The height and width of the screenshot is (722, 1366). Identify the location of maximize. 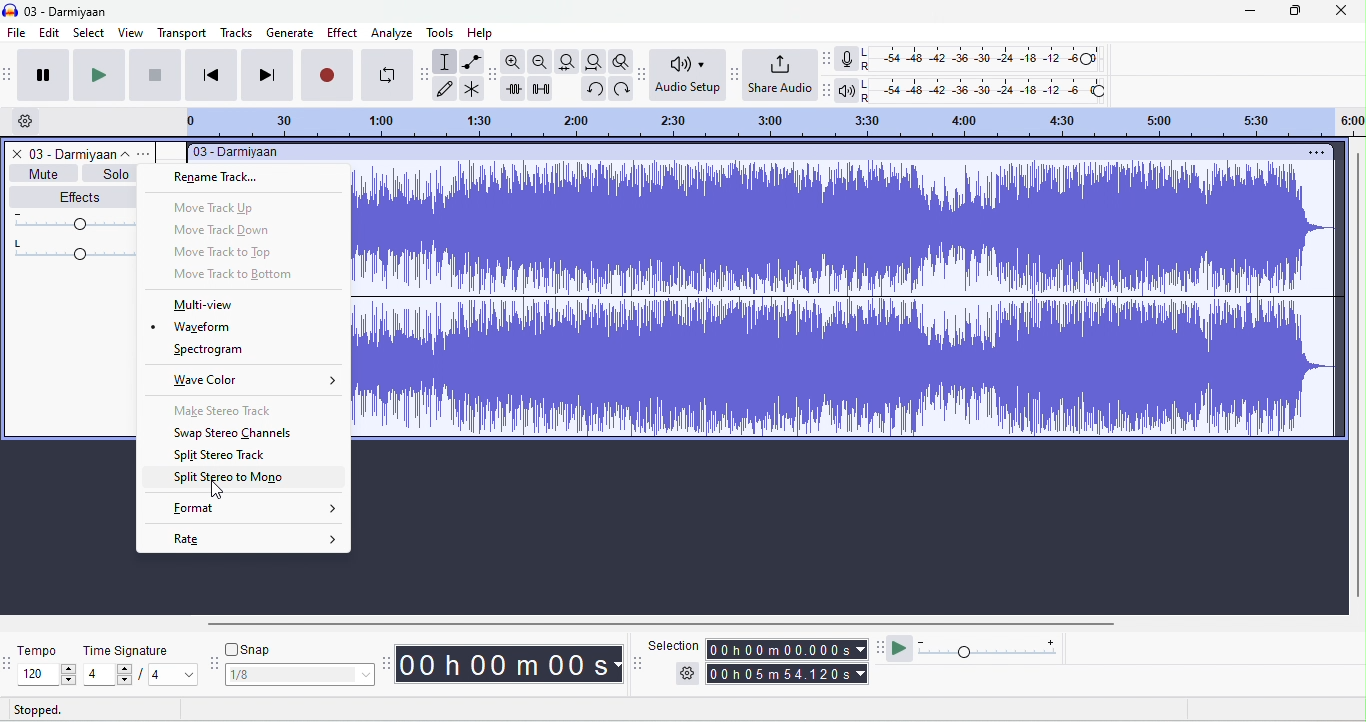
(1292, 11).